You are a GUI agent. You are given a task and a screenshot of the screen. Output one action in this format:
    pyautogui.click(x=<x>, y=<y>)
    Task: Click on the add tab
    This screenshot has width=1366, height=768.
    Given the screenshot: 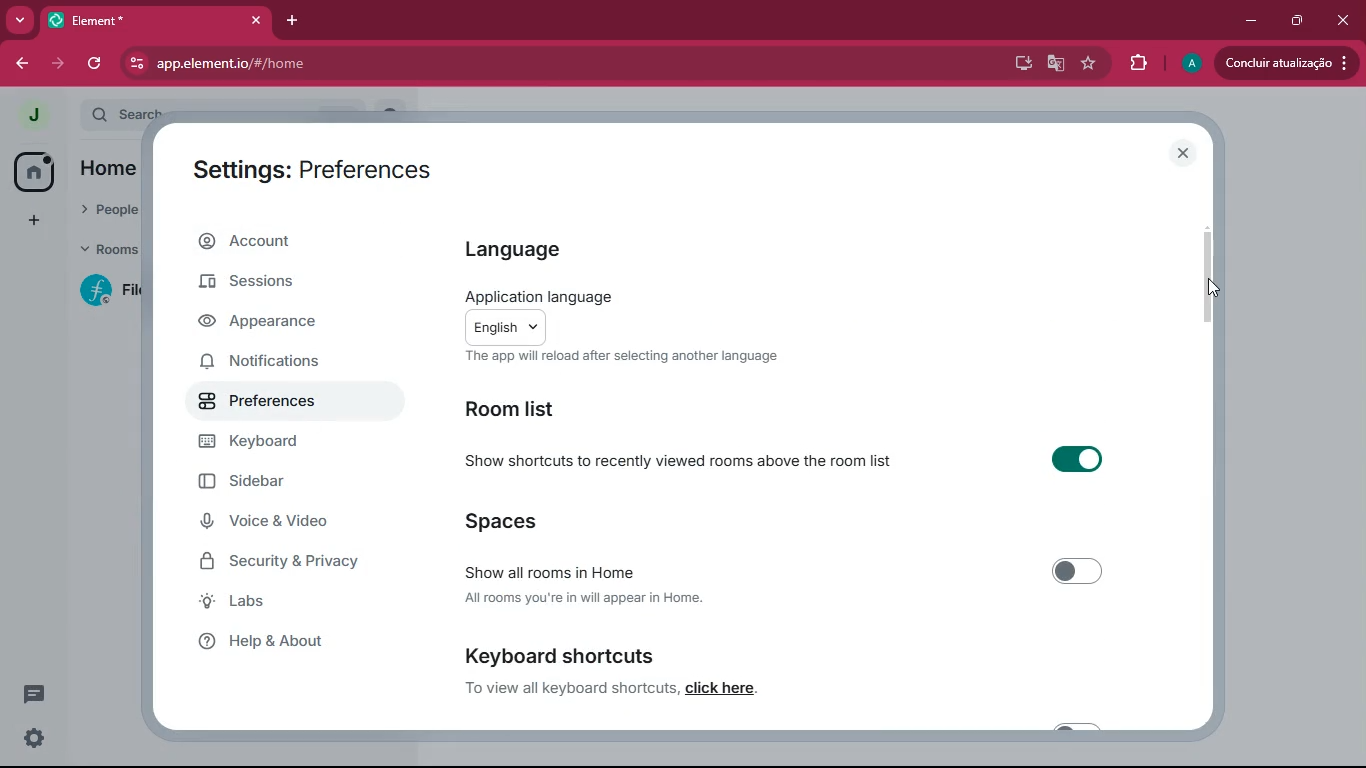 What is the action you would take?
    pyautogui.click(x=293, y=20)
    